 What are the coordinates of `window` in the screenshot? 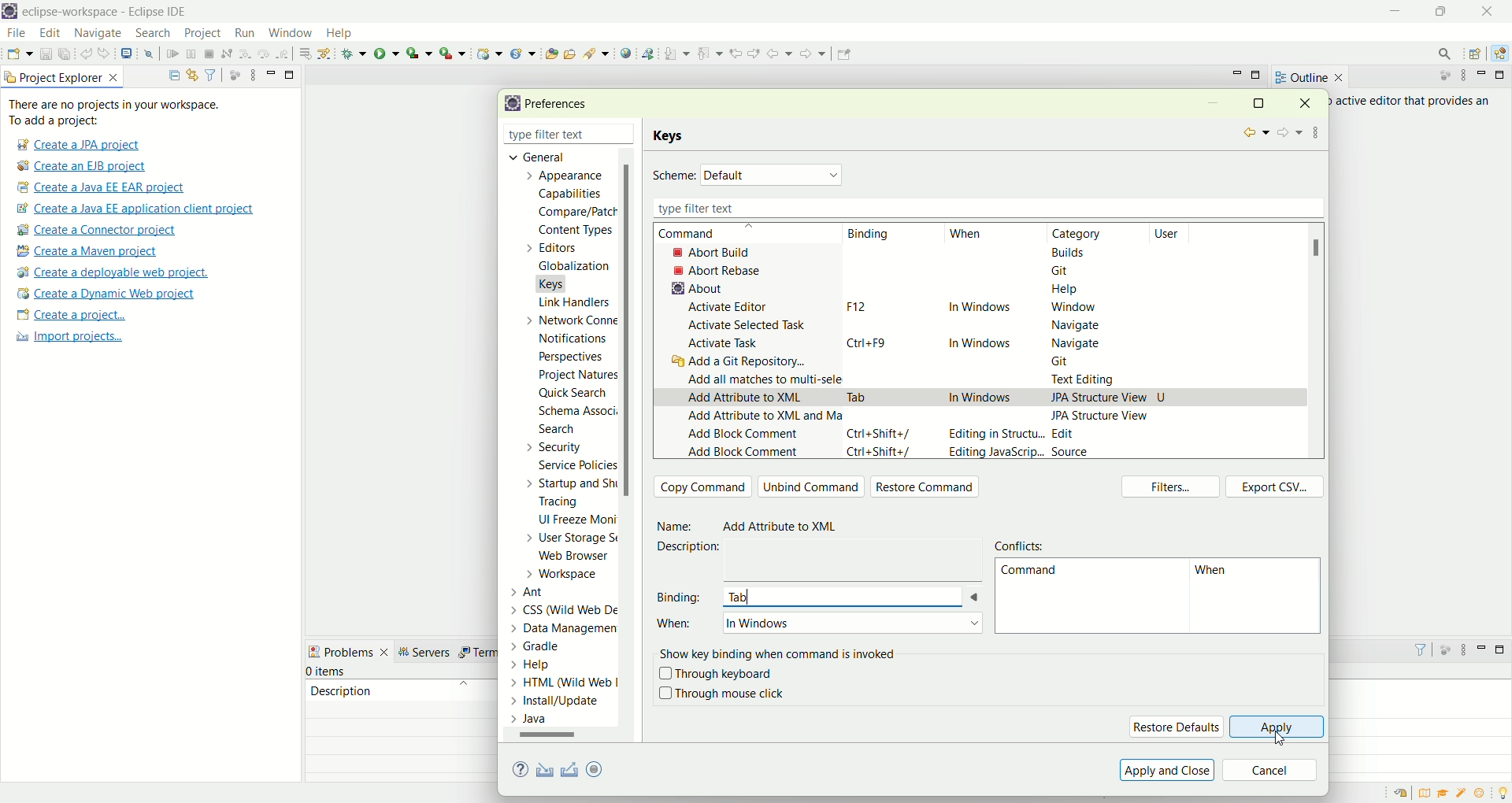 It's located at (1072, 308).